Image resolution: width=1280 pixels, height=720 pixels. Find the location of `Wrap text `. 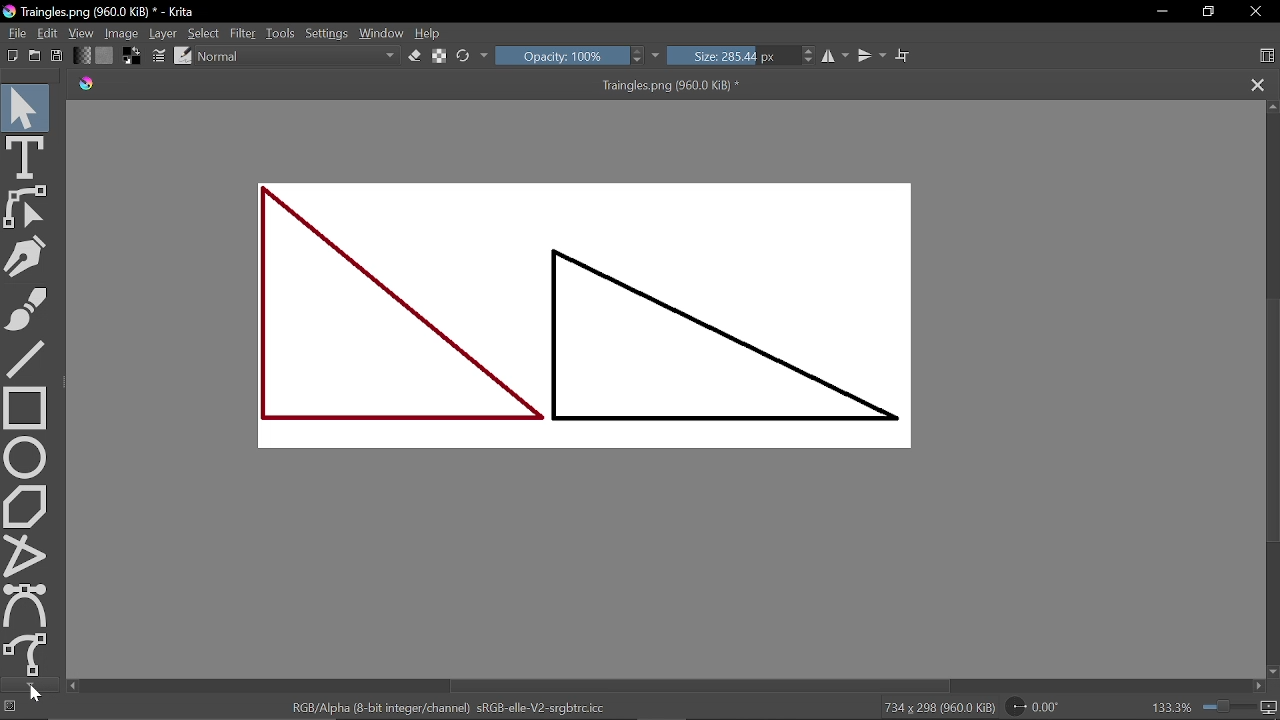

Wrap text  is located at coordinates (904, 56).